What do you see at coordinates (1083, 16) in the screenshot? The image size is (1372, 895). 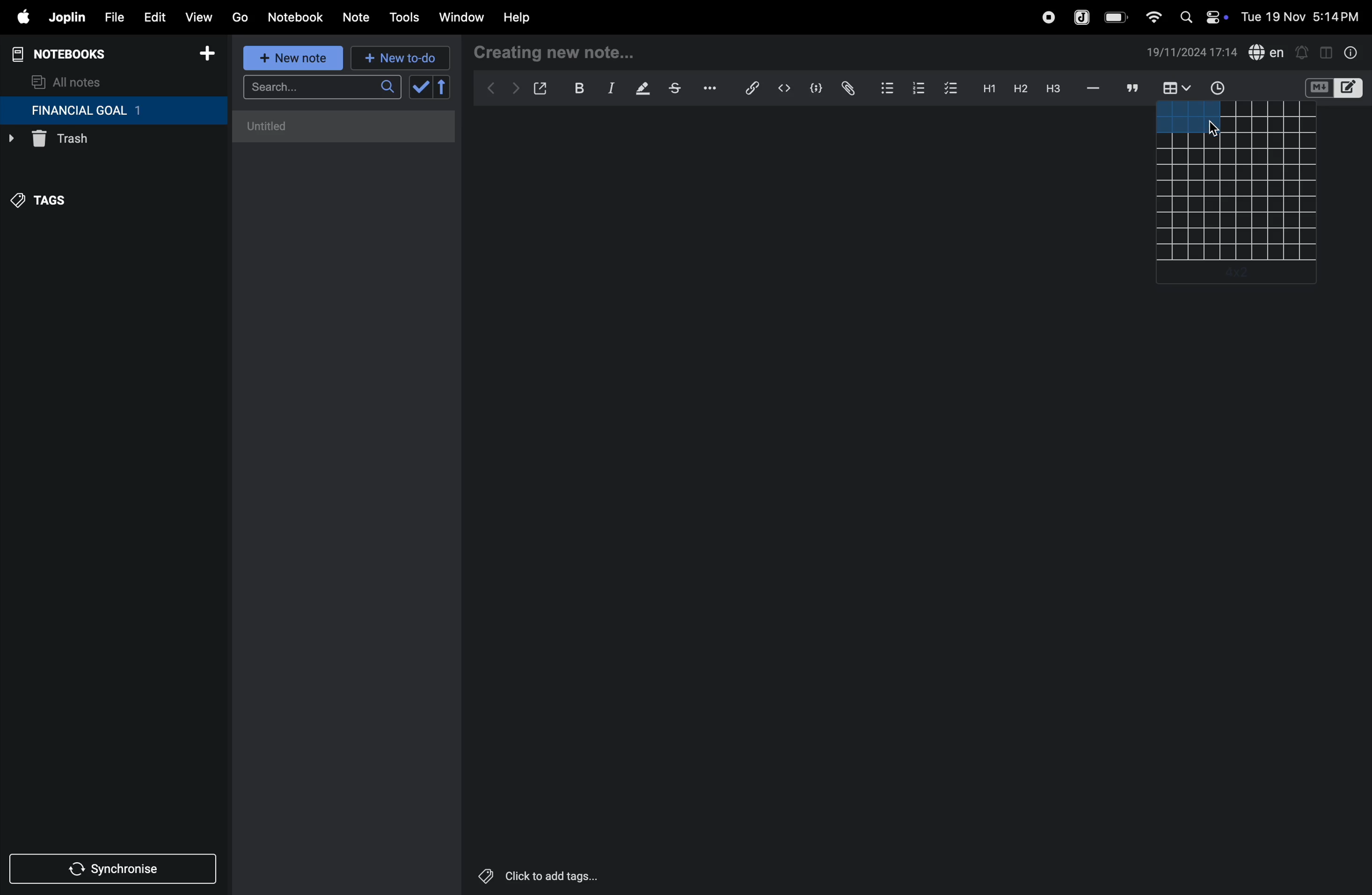 I see `joplin` at bounding box center [1083, 16].